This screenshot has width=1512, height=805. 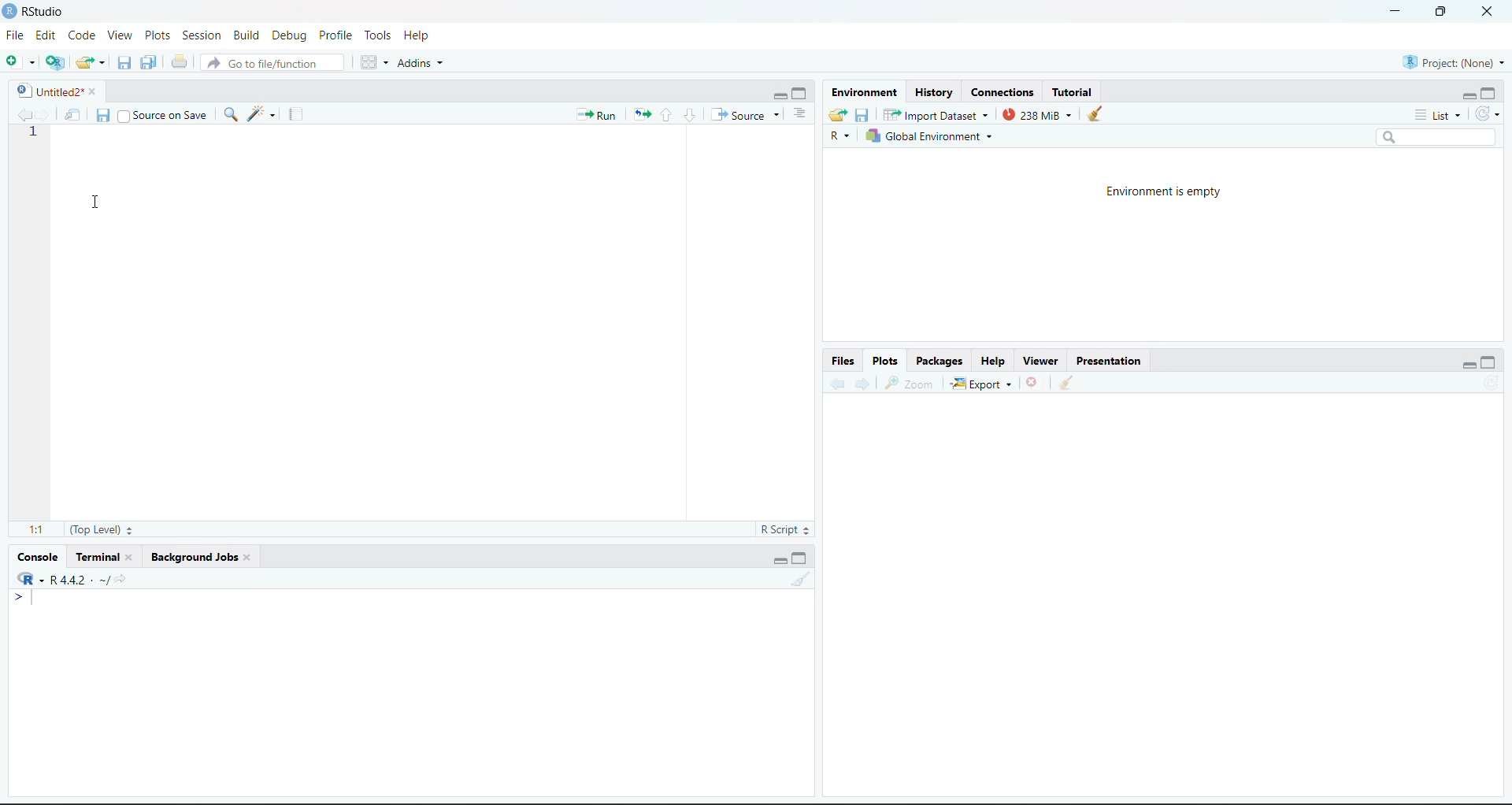 What do you see at coordinates (202, 35) in the screenshot?
I see `Session` at bounding box center [202, 35].